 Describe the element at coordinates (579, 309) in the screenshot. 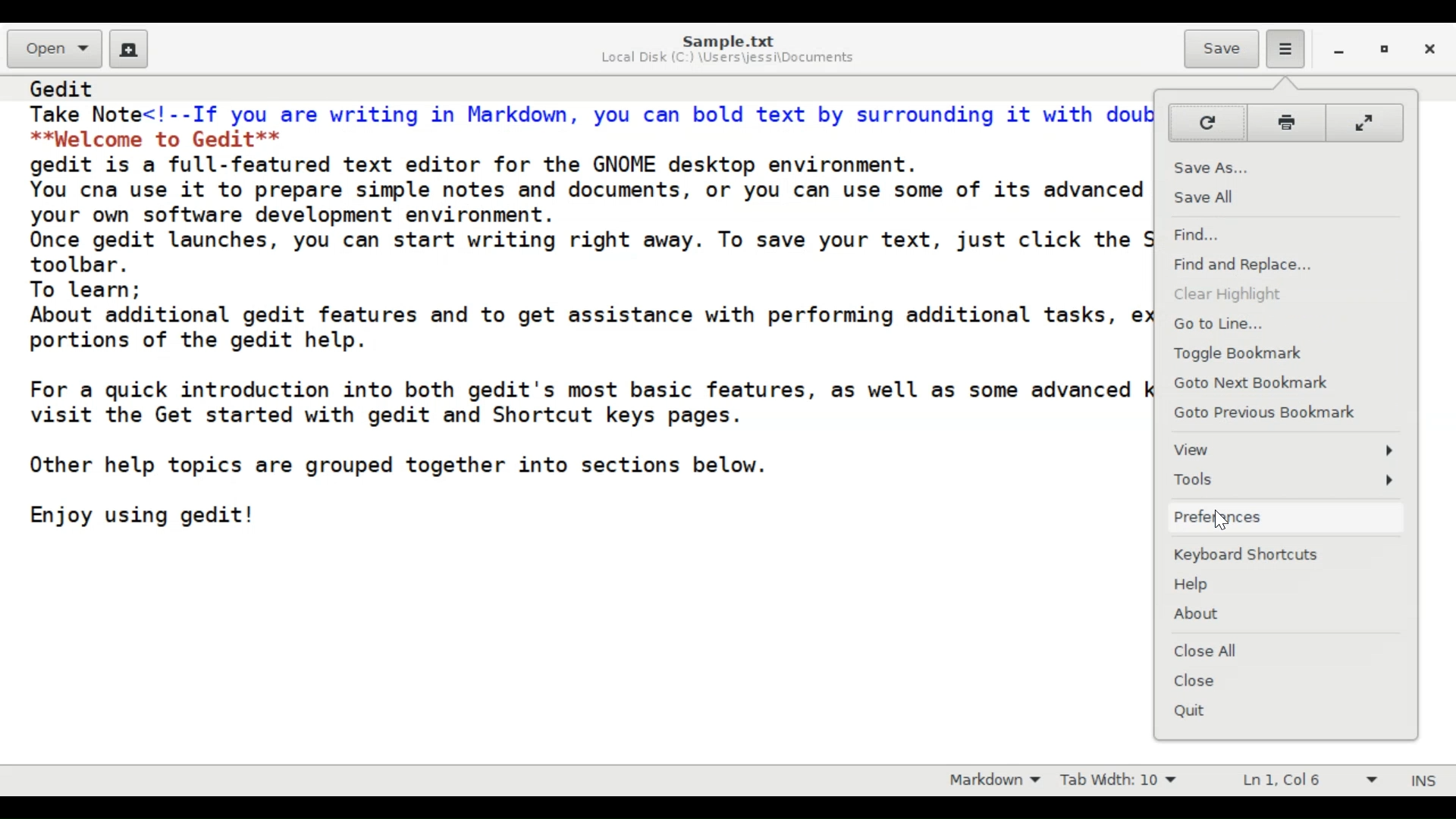

I see `Gedit

Take Note<!--If you are writing in Markdown, you can bold text by surrounding it with double asterisks:-->
**Welcome to Gedit**

gedit is a full-featured text editor for the GNOME desktop environment.

You cna use it to prepare simple notes and documents, or you can use some of its advanced features, making it
your own software development environment.

Once gedit launches, you can start writing right away. To save your text, just click the Save icon in the gedit
toolbar.

To learn;

About additional gedit features and to get assistance with performing additional tasks, explore the other
portions of the gedit help.

For a quick introduction into both gedit's most basic features, as well as some advanced keyboard shortcuts,
visit the Get started with gedit and Shortcut keys pages.

Other help topics are grouped together into sections below.

Enjoy using gedit!` at that location.